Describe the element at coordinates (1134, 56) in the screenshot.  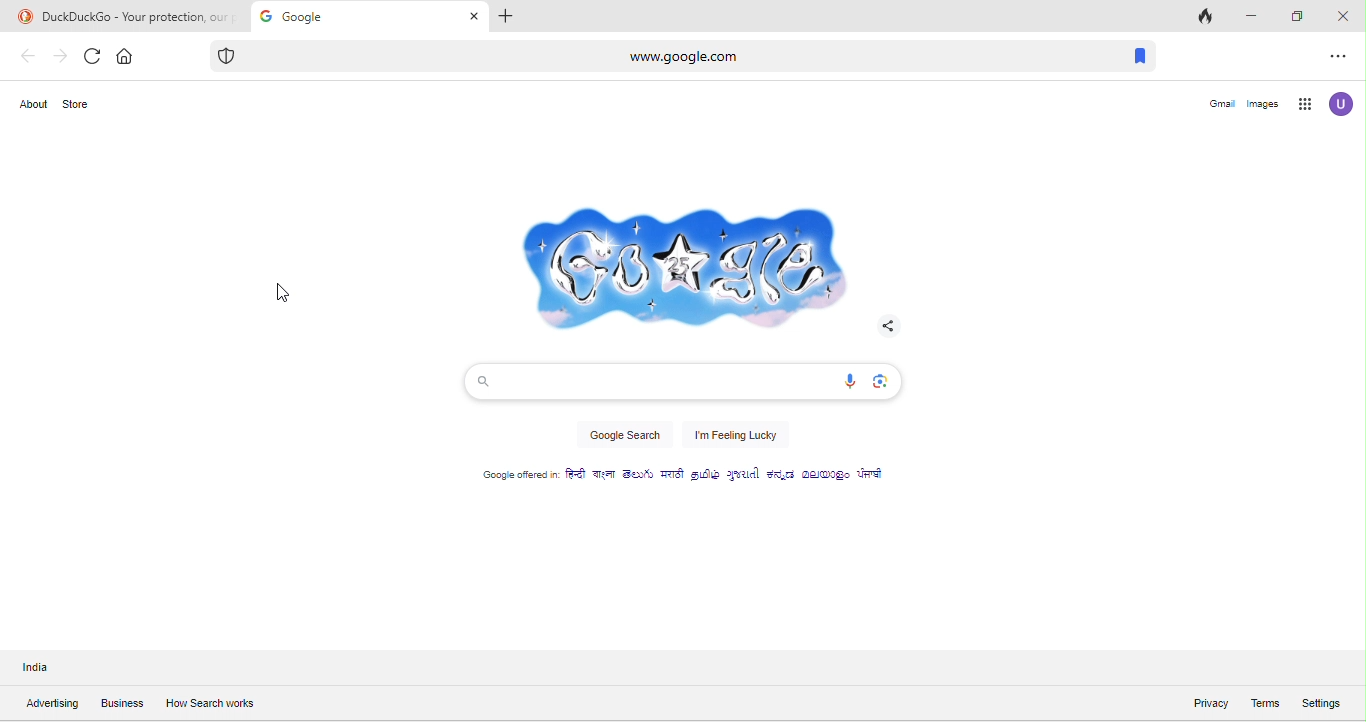
I see `bookmark` at that location.